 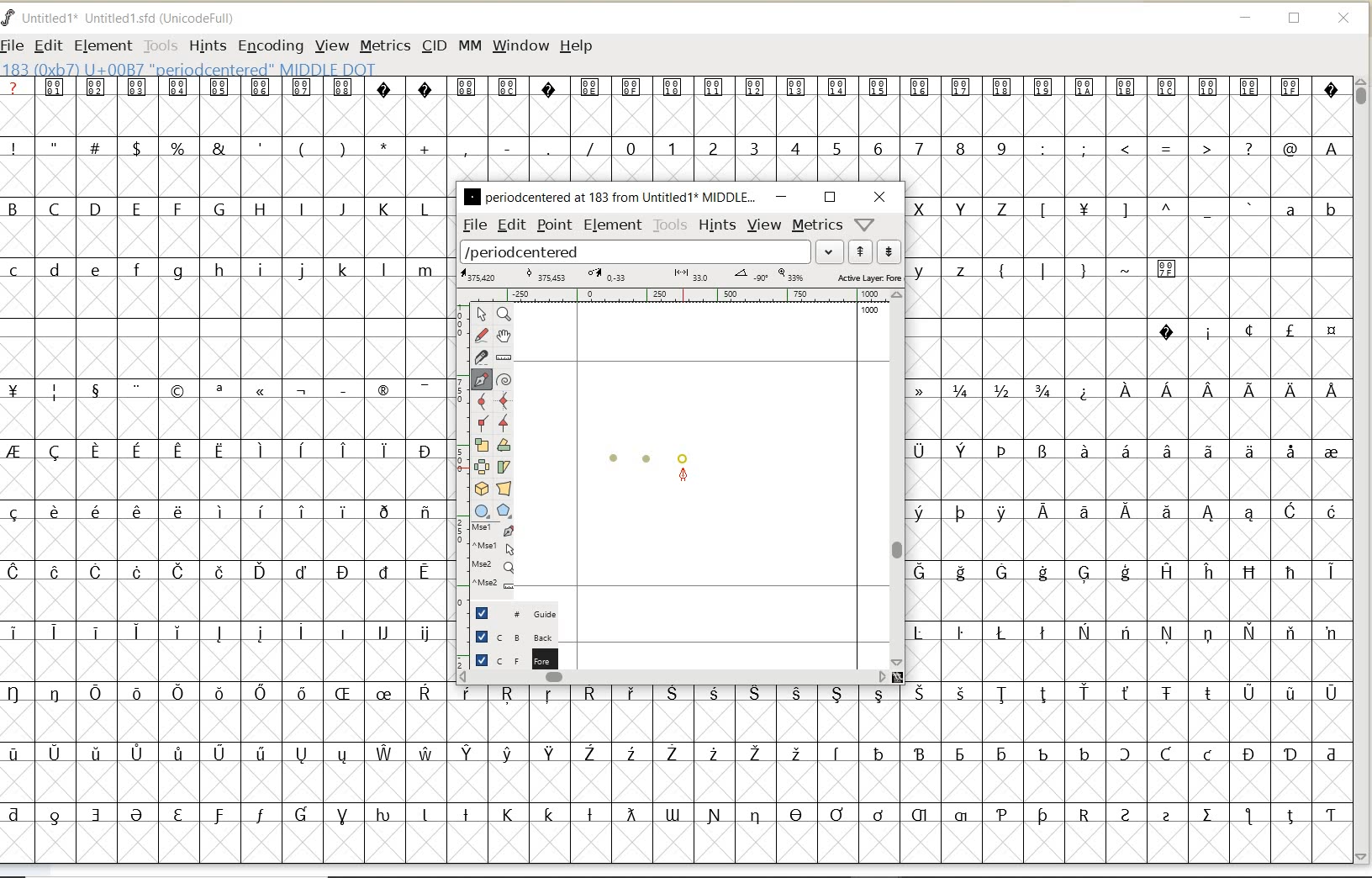 What do you see at coordinates (224, 271) in the screenshot?
I see `lowercase letters` at bounding box center [224, 271].